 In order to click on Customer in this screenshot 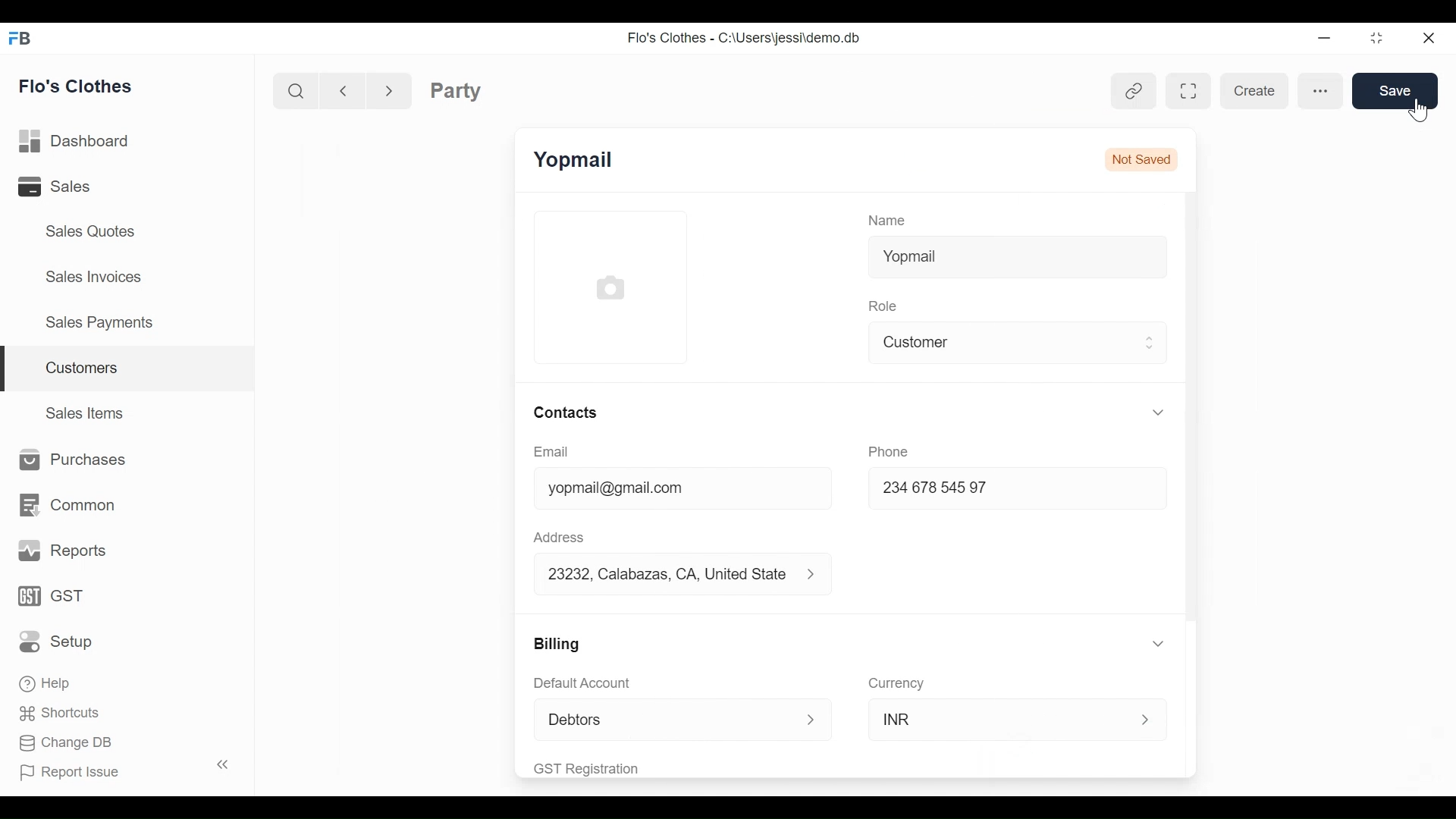, I will do `click(1004, 343)`.